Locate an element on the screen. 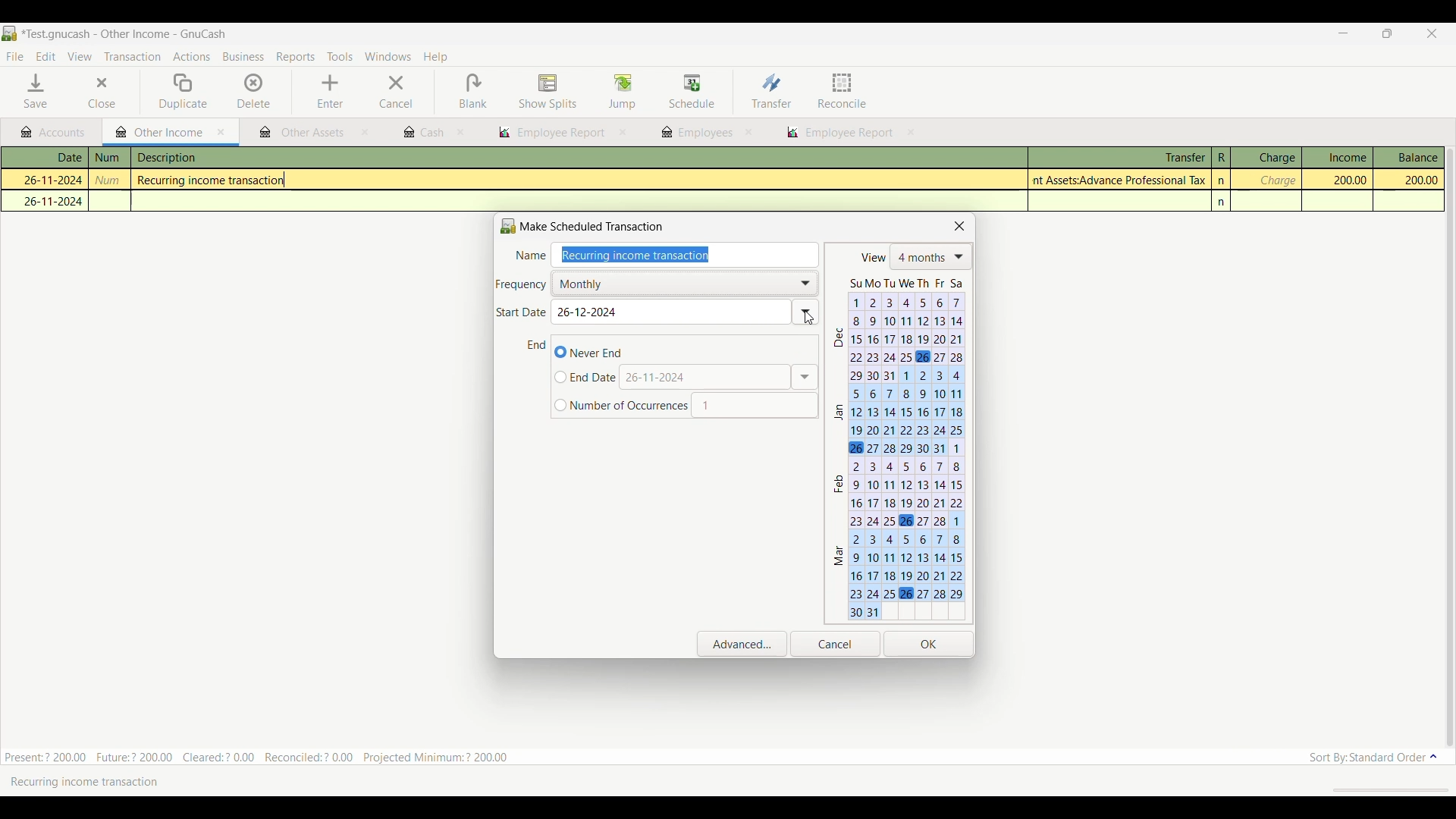 The height and width of the screenshot is (819, 1456). Project and software name  is located at coordinates (124, 35).